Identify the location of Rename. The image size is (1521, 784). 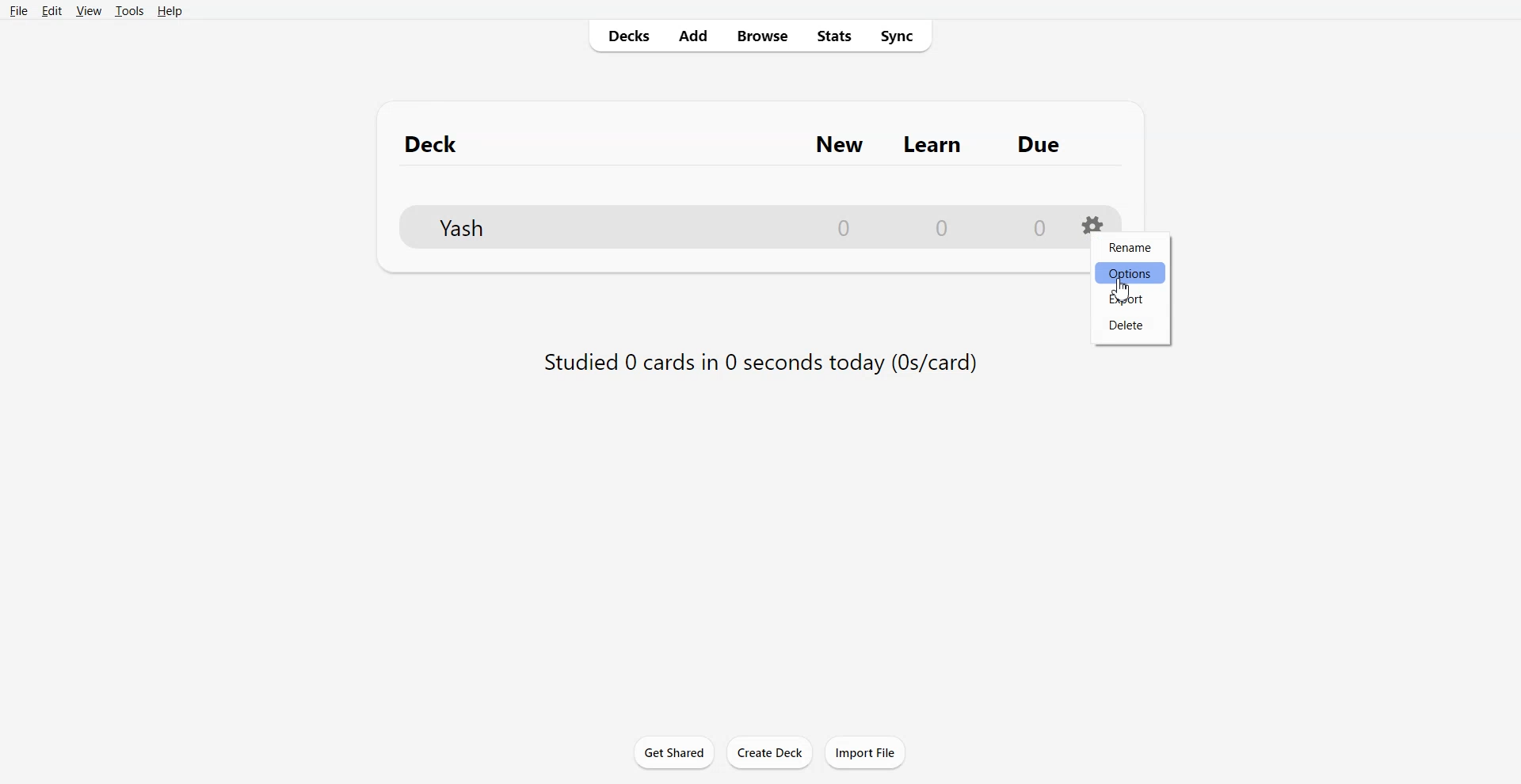
(1130, 247).